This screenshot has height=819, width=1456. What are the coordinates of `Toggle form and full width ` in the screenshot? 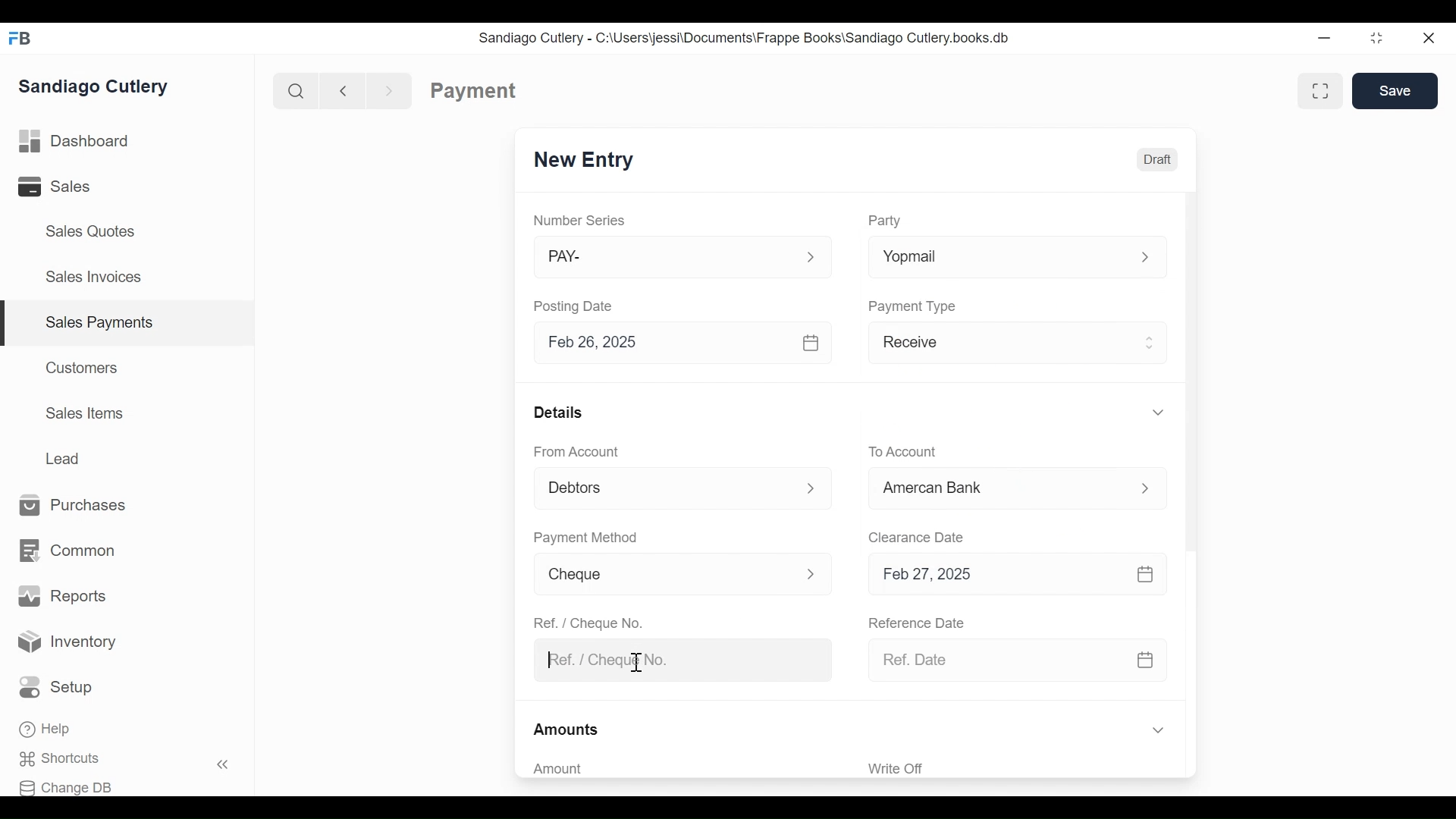 It's located at (1326, 88).